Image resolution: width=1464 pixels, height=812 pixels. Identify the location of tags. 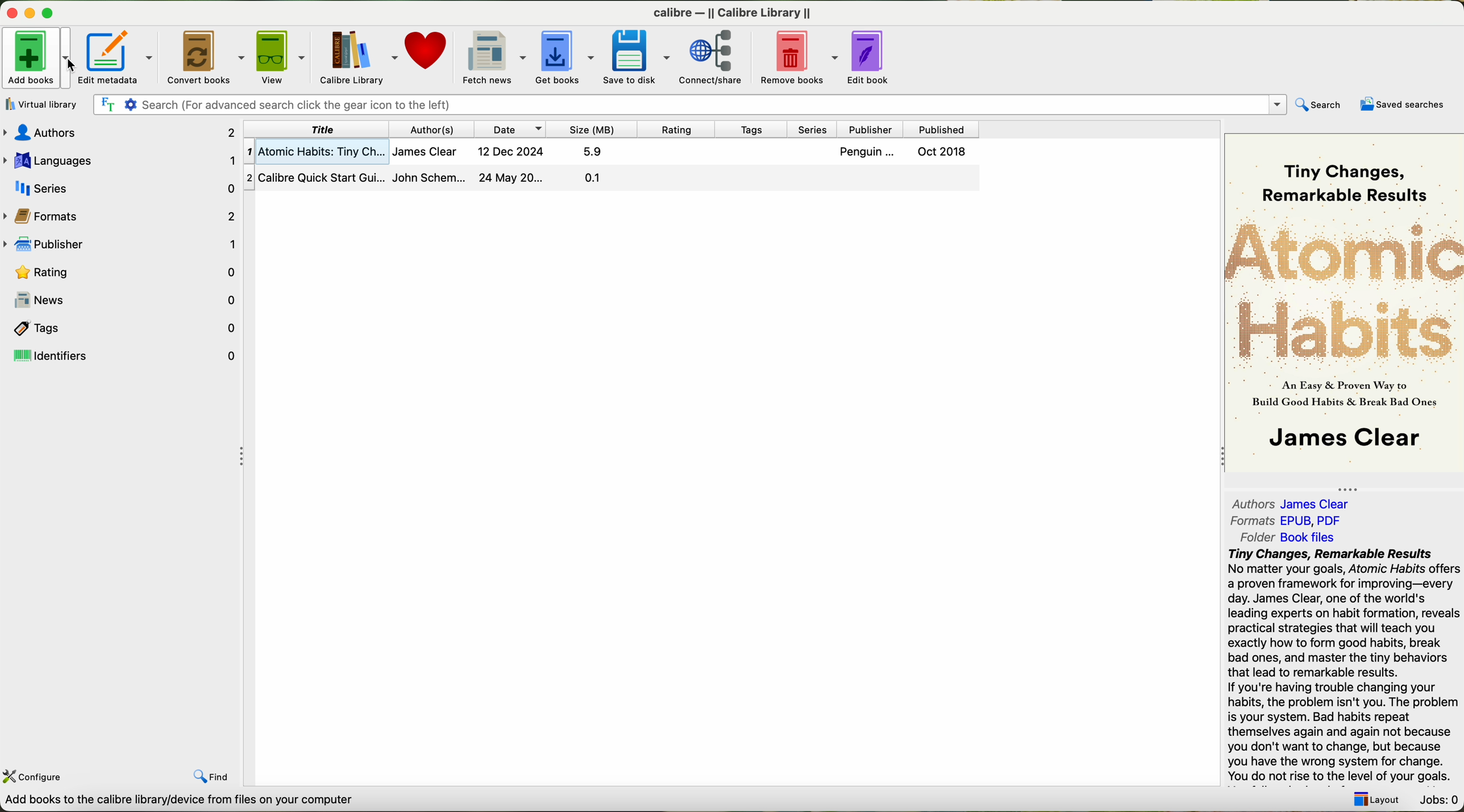
(748, 129).